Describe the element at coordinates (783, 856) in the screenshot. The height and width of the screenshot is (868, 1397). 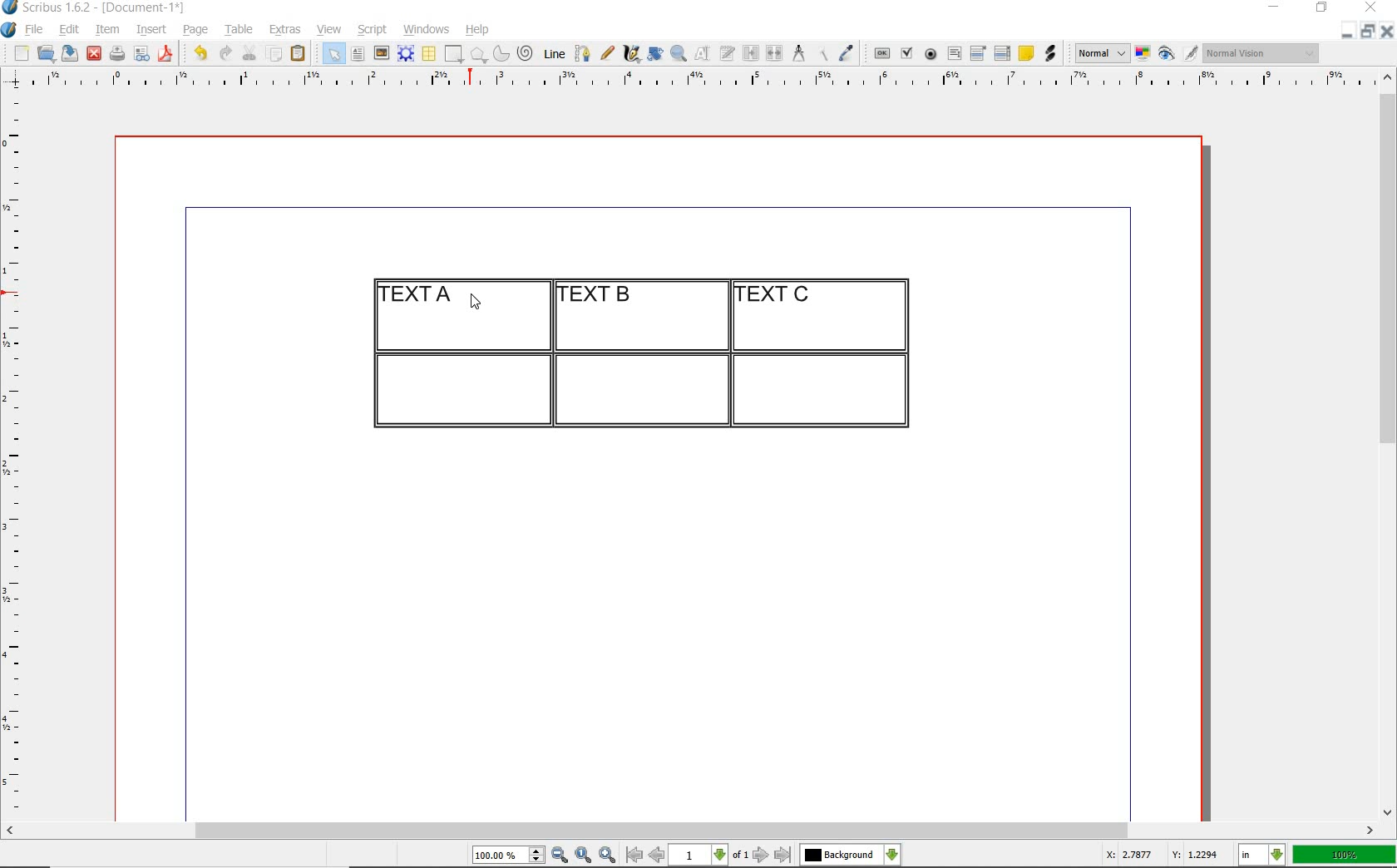
I see `go to last page` at that location.